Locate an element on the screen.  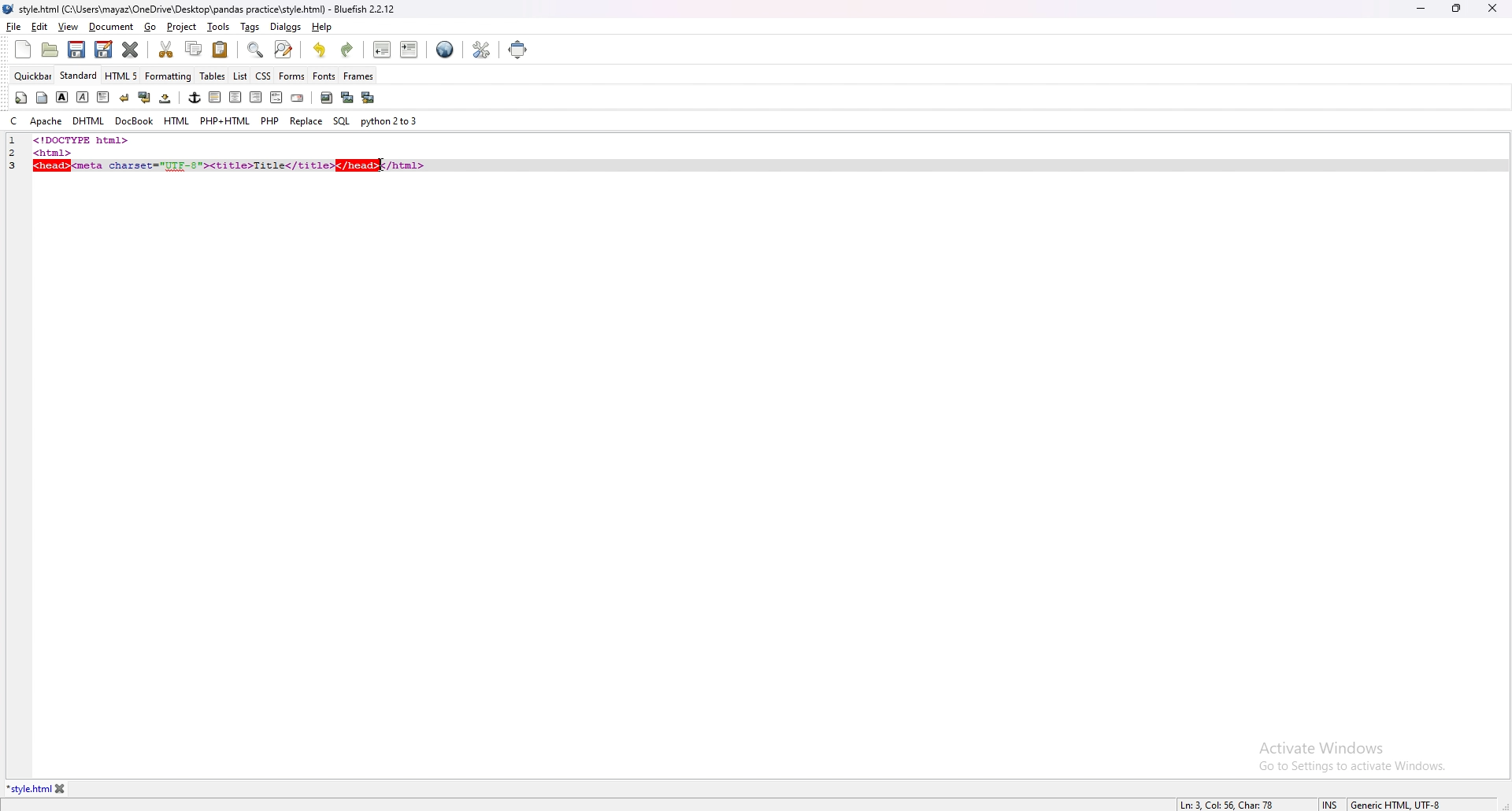
python 2to3 is located at coordinates (391, 121).